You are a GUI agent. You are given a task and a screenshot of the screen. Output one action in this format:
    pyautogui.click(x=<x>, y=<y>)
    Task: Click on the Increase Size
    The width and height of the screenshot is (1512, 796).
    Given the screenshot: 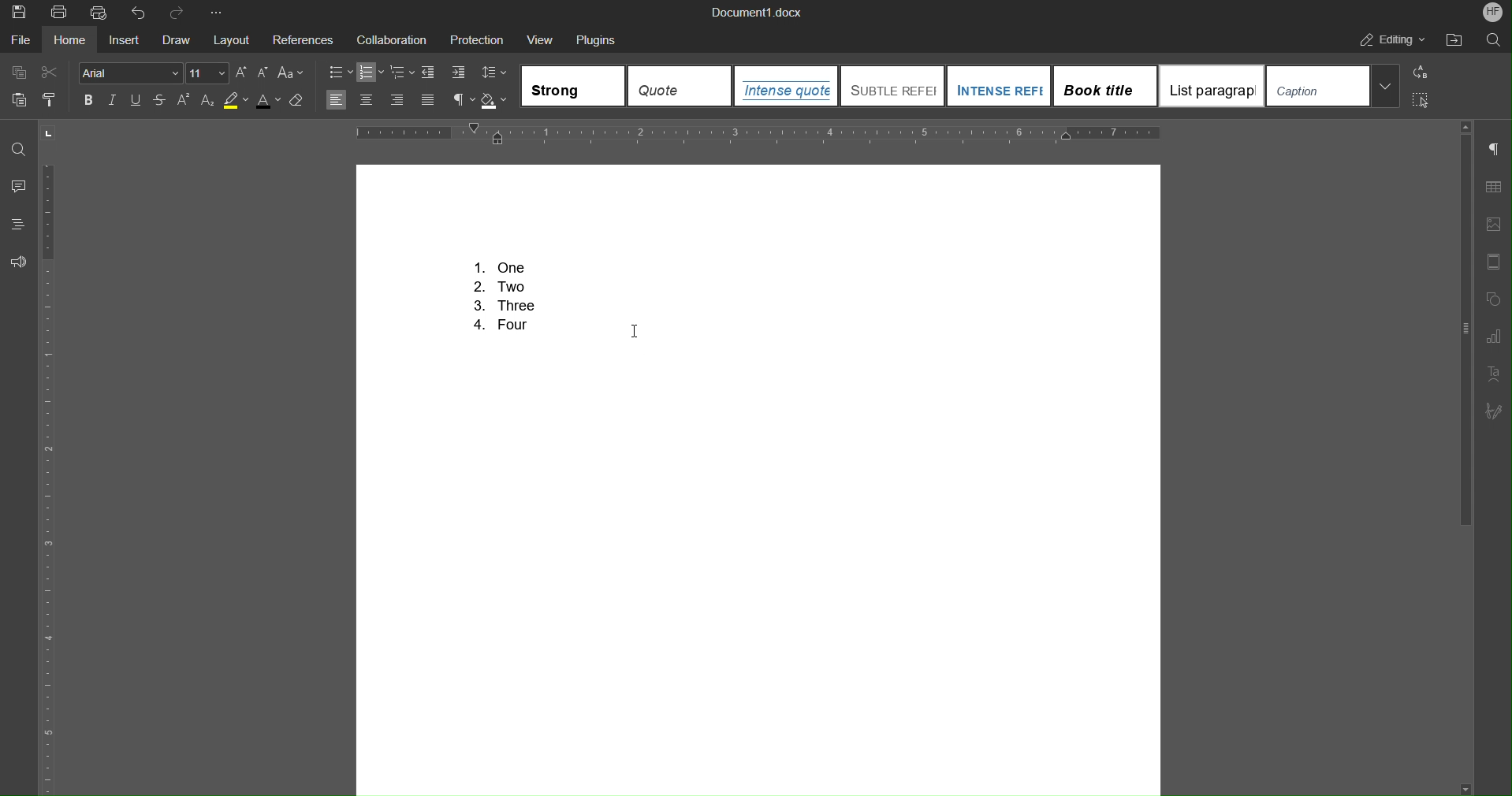 What is the action you would take?
    pyautogui.click(x=241, y=73)
    